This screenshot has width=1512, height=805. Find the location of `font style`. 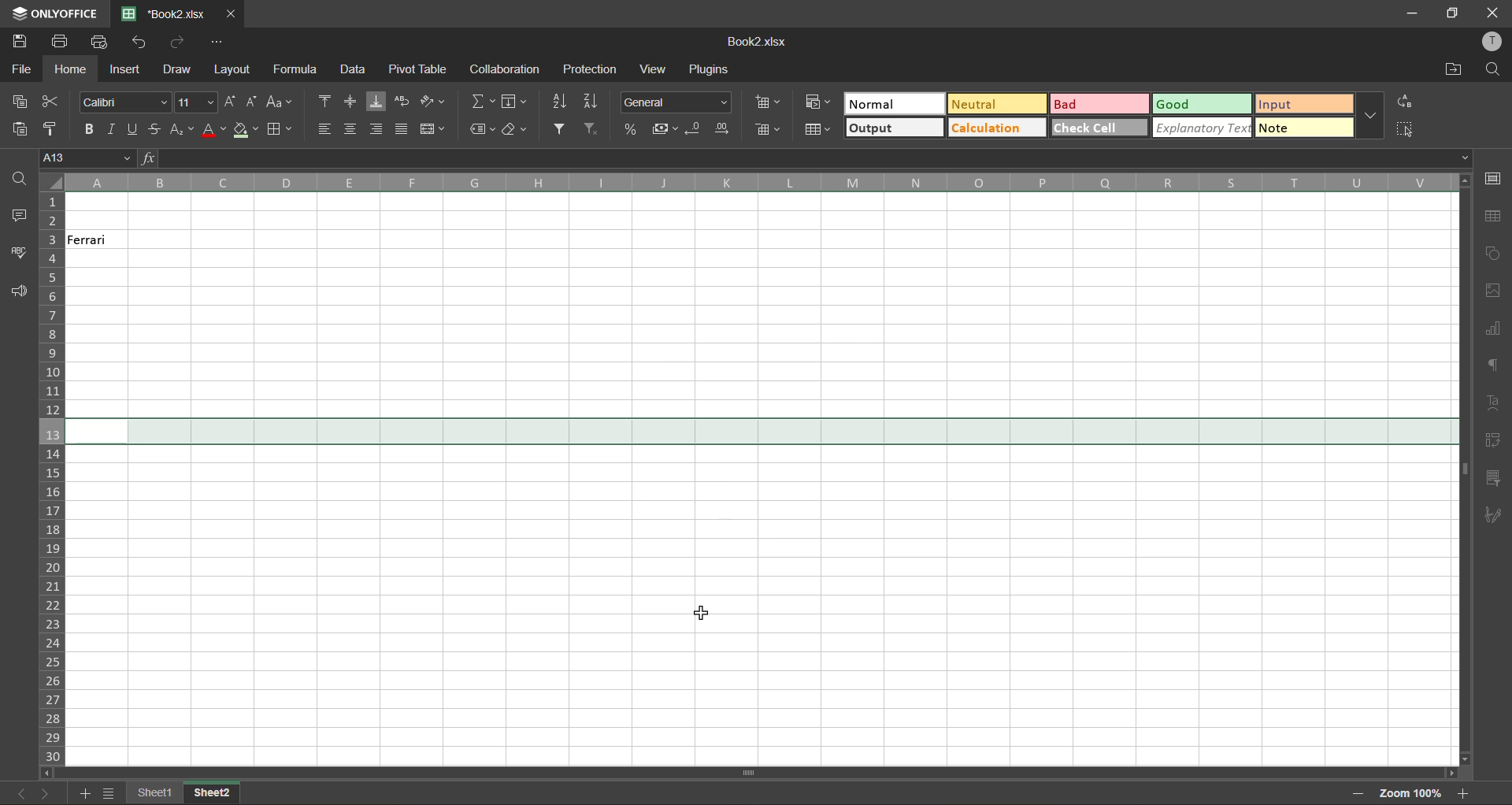

font style is located at coordinates (122, 103).